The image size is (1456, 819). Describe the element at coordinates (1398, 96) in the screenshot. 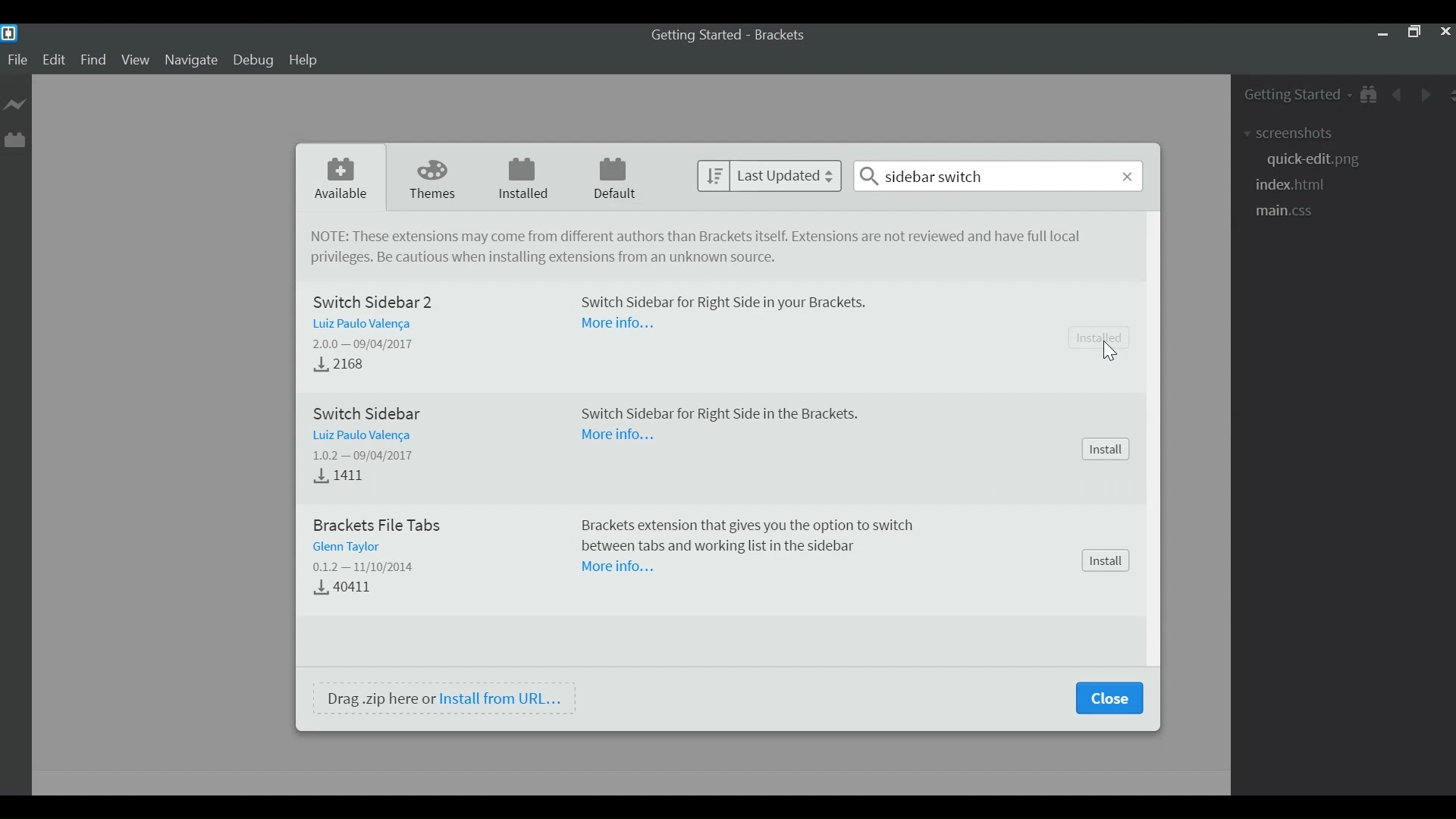

I see `Navigate Back` at that location.